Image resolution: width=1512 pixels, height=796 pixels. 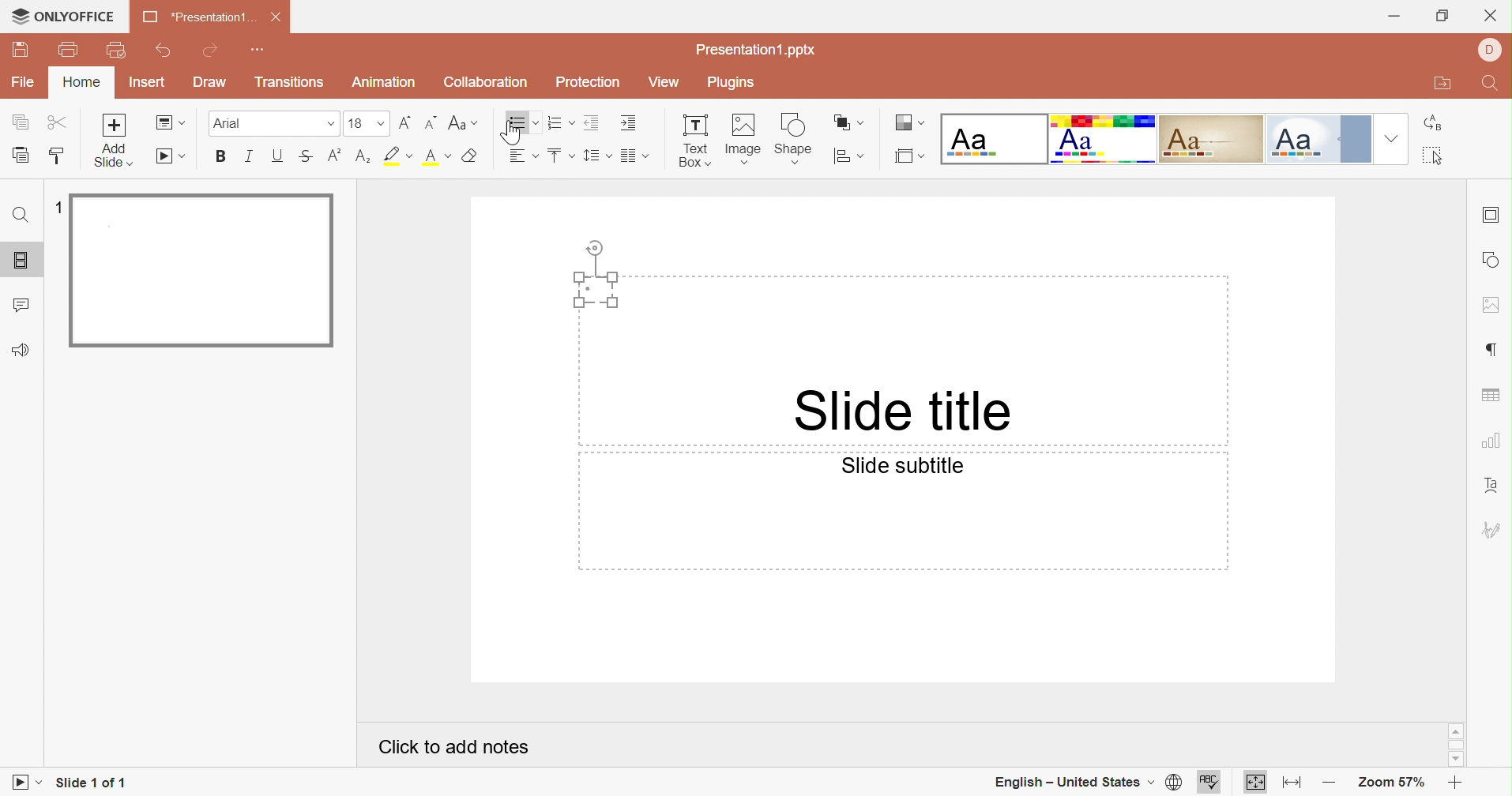 What do you see at coordinates (18, 217) in the screenshot?
I see `Find` at bounding box center [18, 217].